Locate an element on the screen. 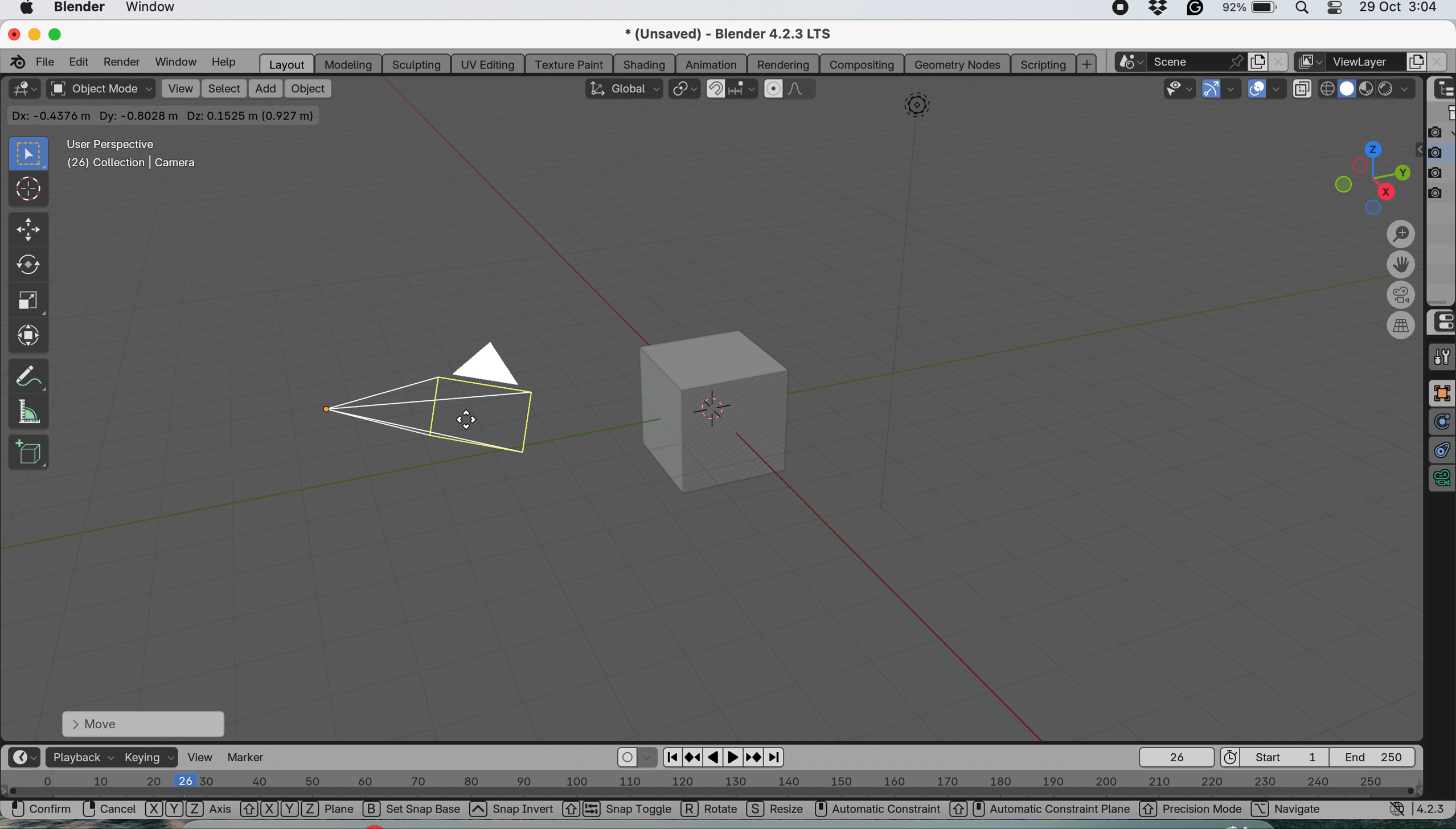  first frame is located at coordinates (1277, 757).